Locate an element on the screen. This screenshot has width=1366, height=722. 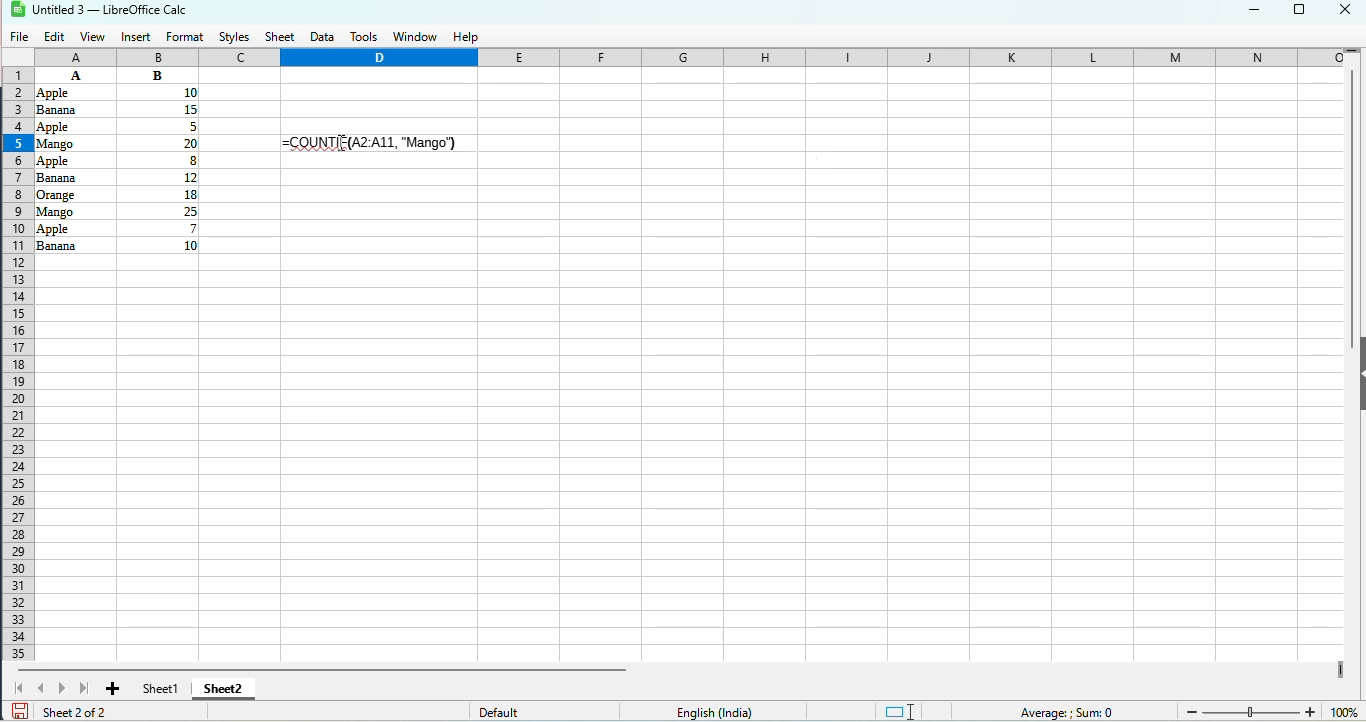
horizontal scroll bar is located at coordinates (323, 670).